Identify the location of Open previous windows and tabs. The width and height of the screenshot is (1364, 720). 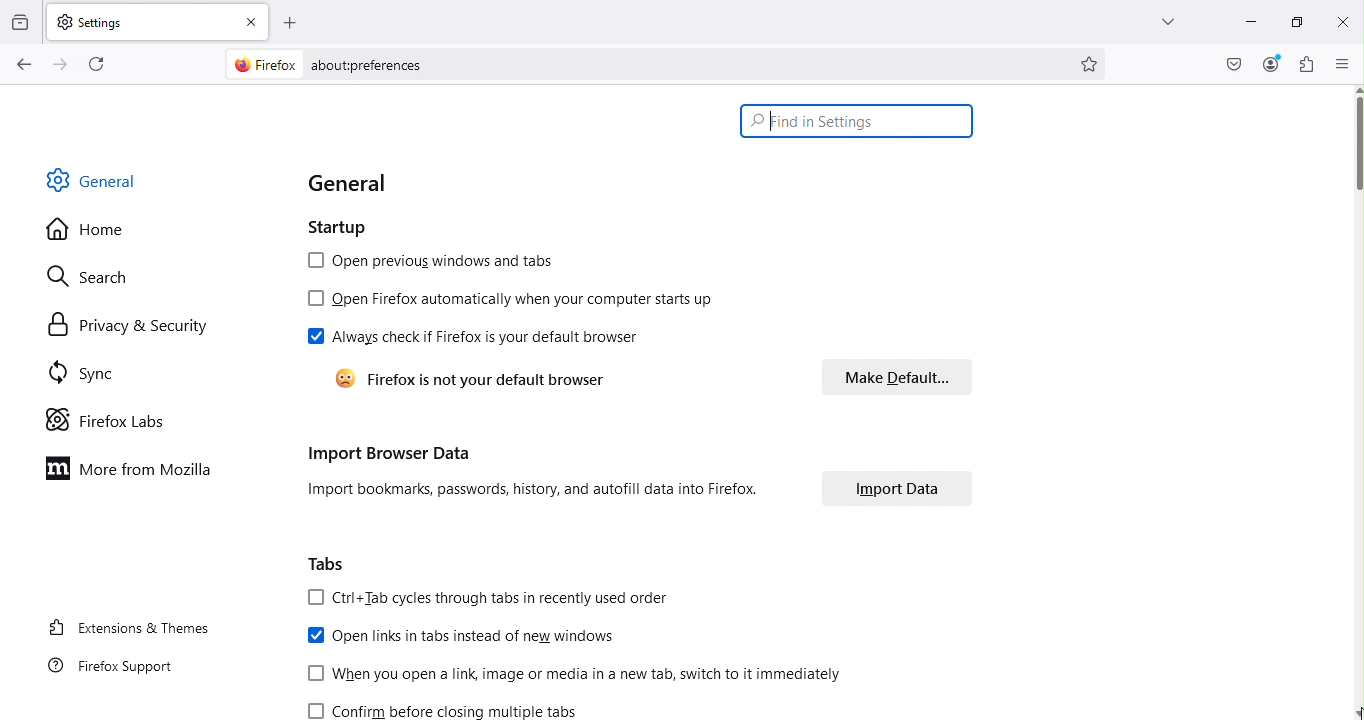
(430, 261).